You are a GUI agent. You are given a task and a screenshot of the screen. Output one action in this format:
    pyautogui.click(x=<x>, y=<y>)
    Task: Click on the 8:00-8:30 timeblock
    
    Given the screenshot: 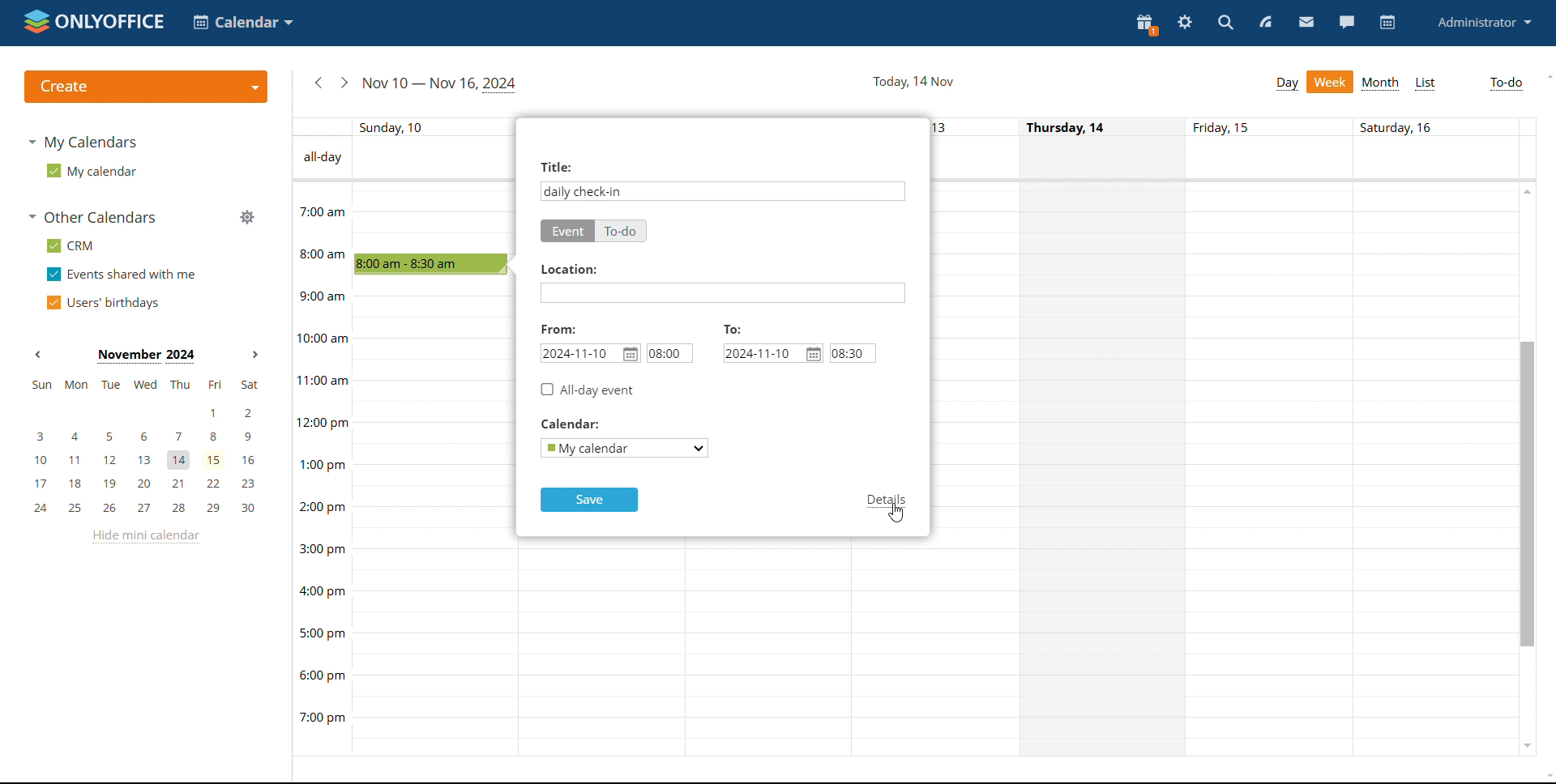 What is the action you would take?
    pyautogui.click(x=432, y=262)
    